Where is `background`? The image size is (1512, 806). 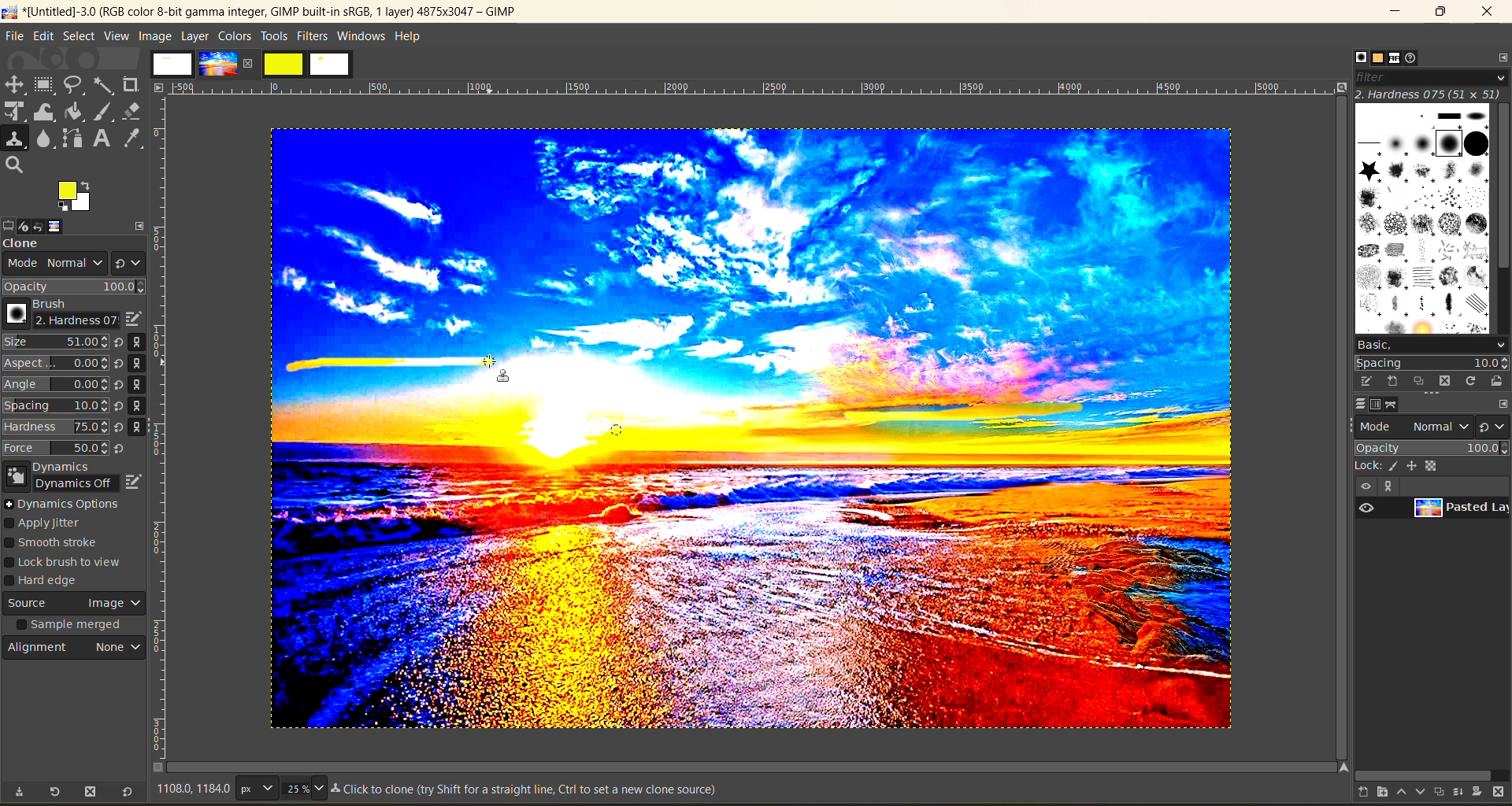
background is located at coordinates (1435, 465).